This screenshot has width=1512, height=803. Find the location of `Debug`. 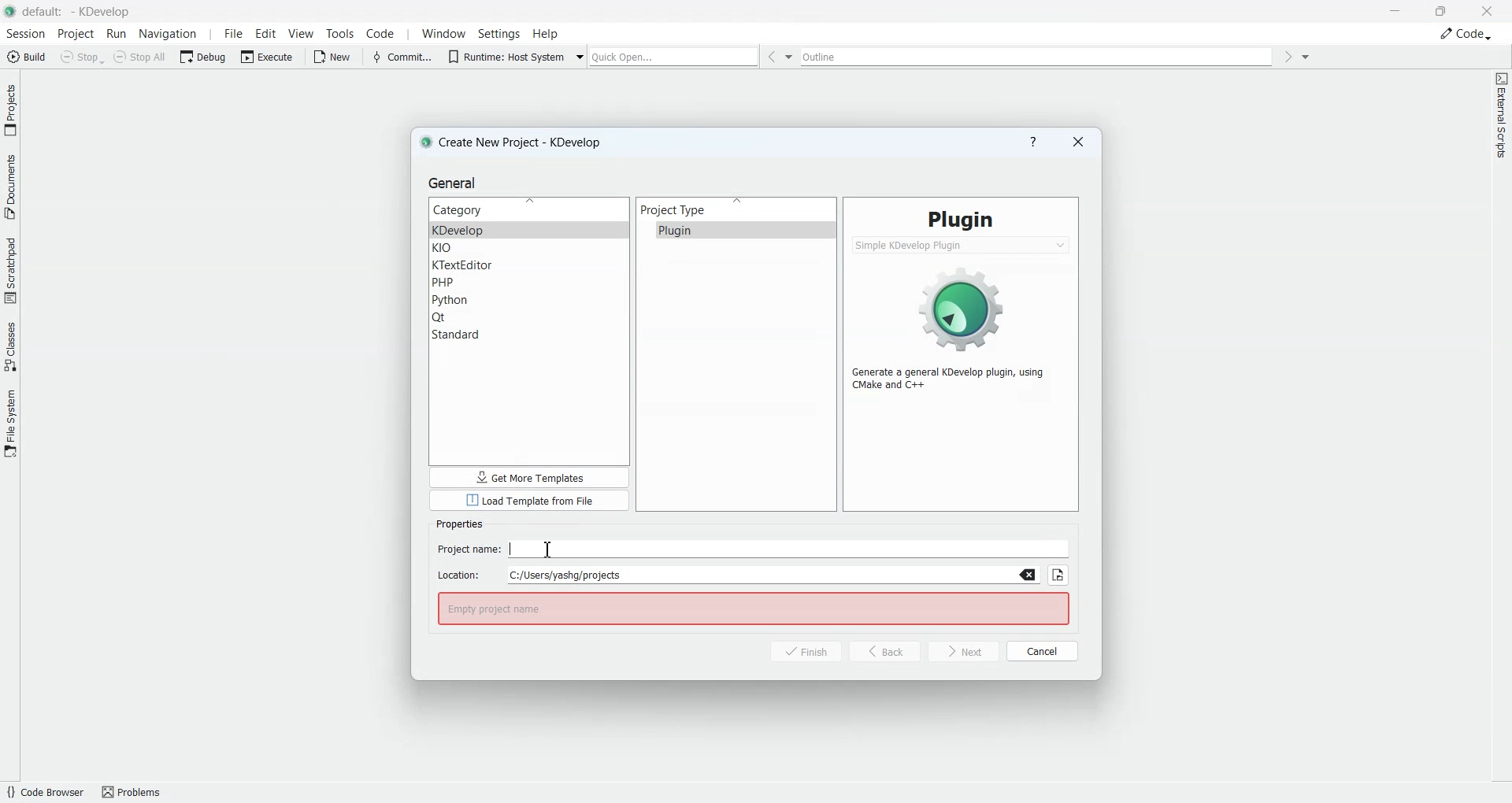

Debug is located at coordinates (205, 56).